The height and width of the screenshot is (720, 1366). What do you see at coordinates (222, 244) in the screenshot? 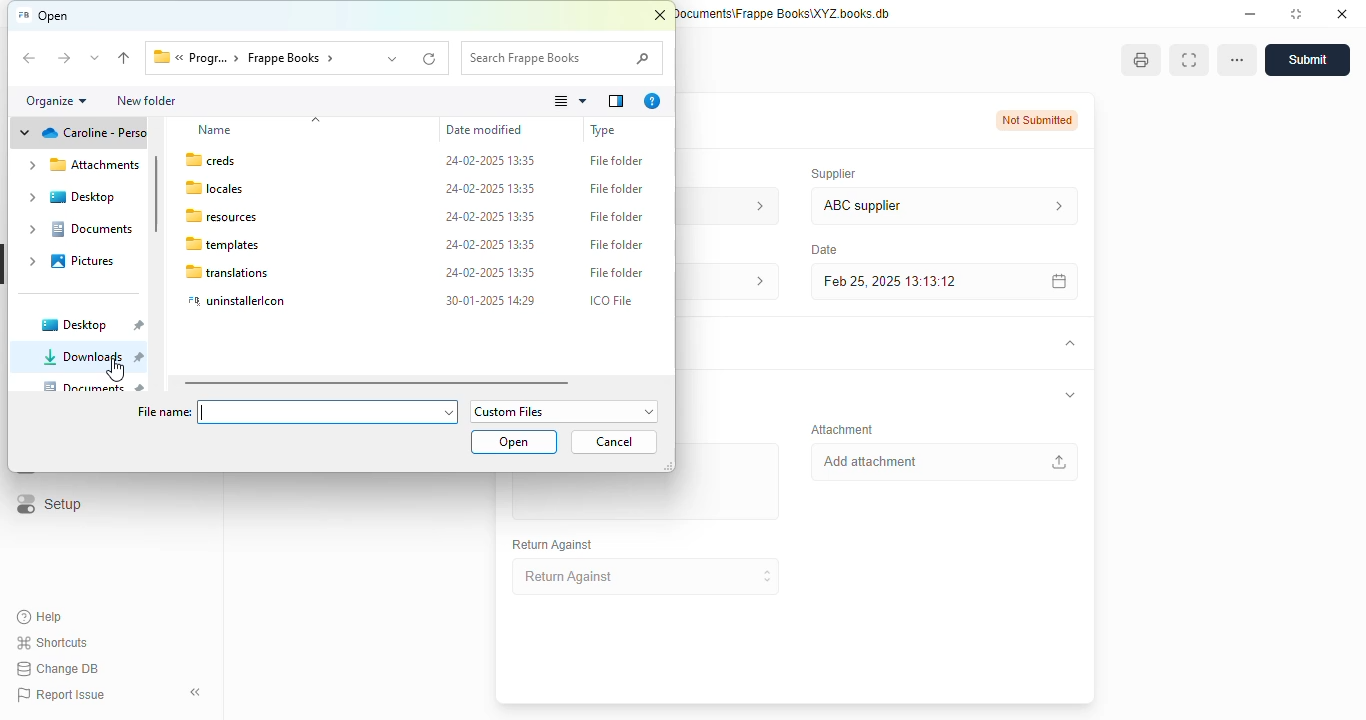
I see `templates` at bounding box center [222, 244].